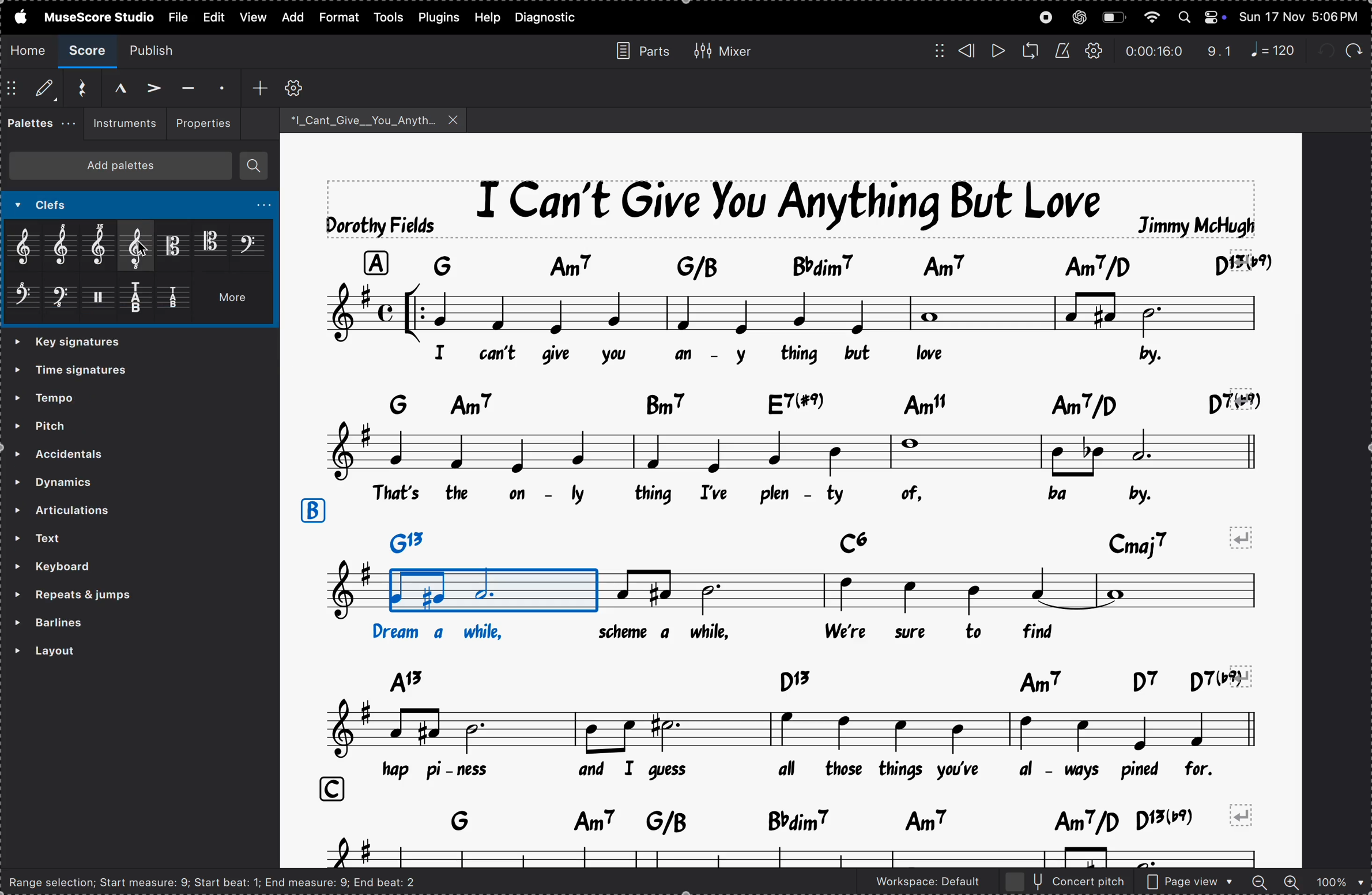  What do you see at coordinates (87, 567) in the screenshot?
I see `keyboard` at bounding box center [87, 567].